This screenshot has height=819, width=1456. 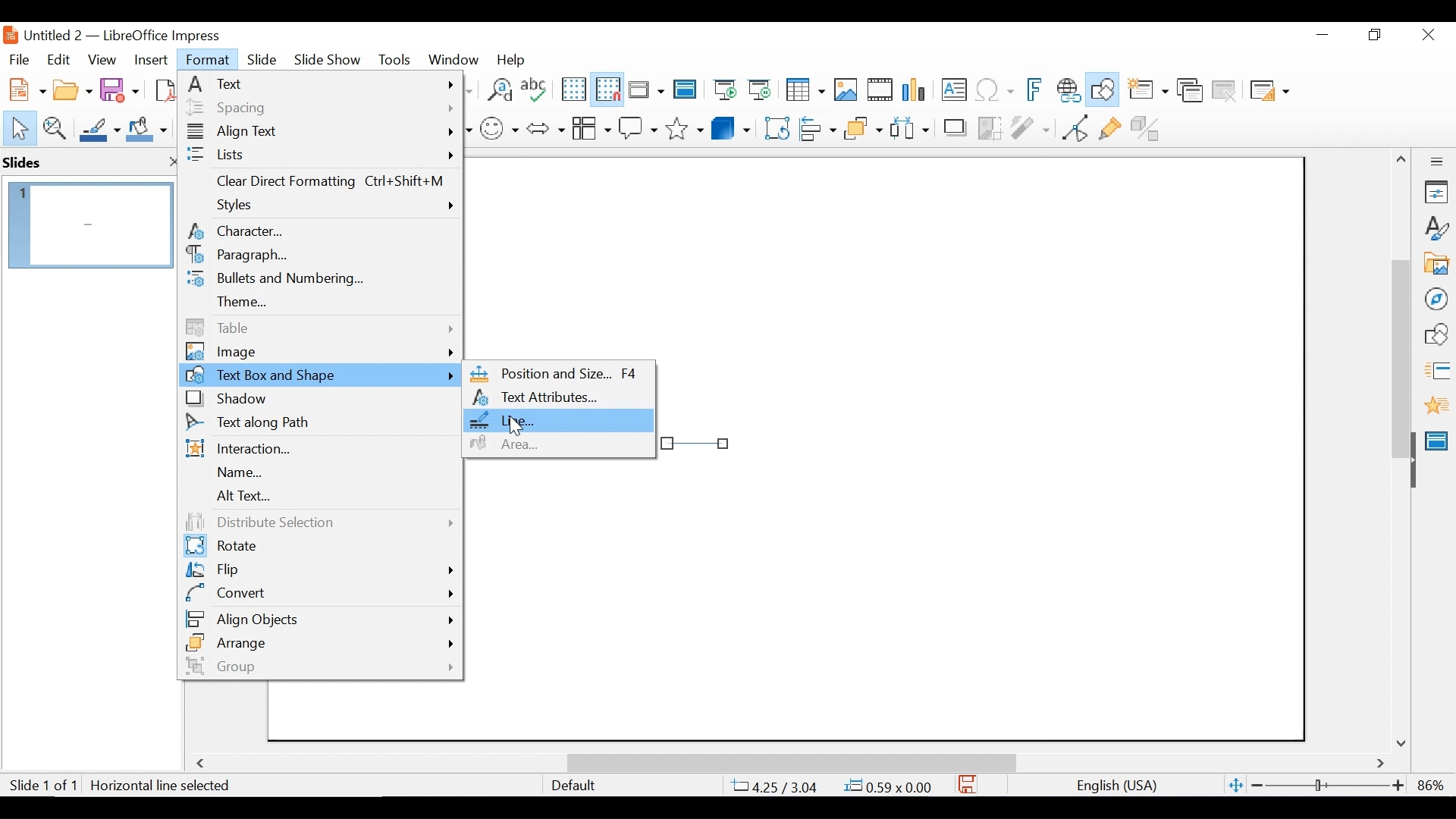 I want to click on Tools, so click(x=394, y=59).